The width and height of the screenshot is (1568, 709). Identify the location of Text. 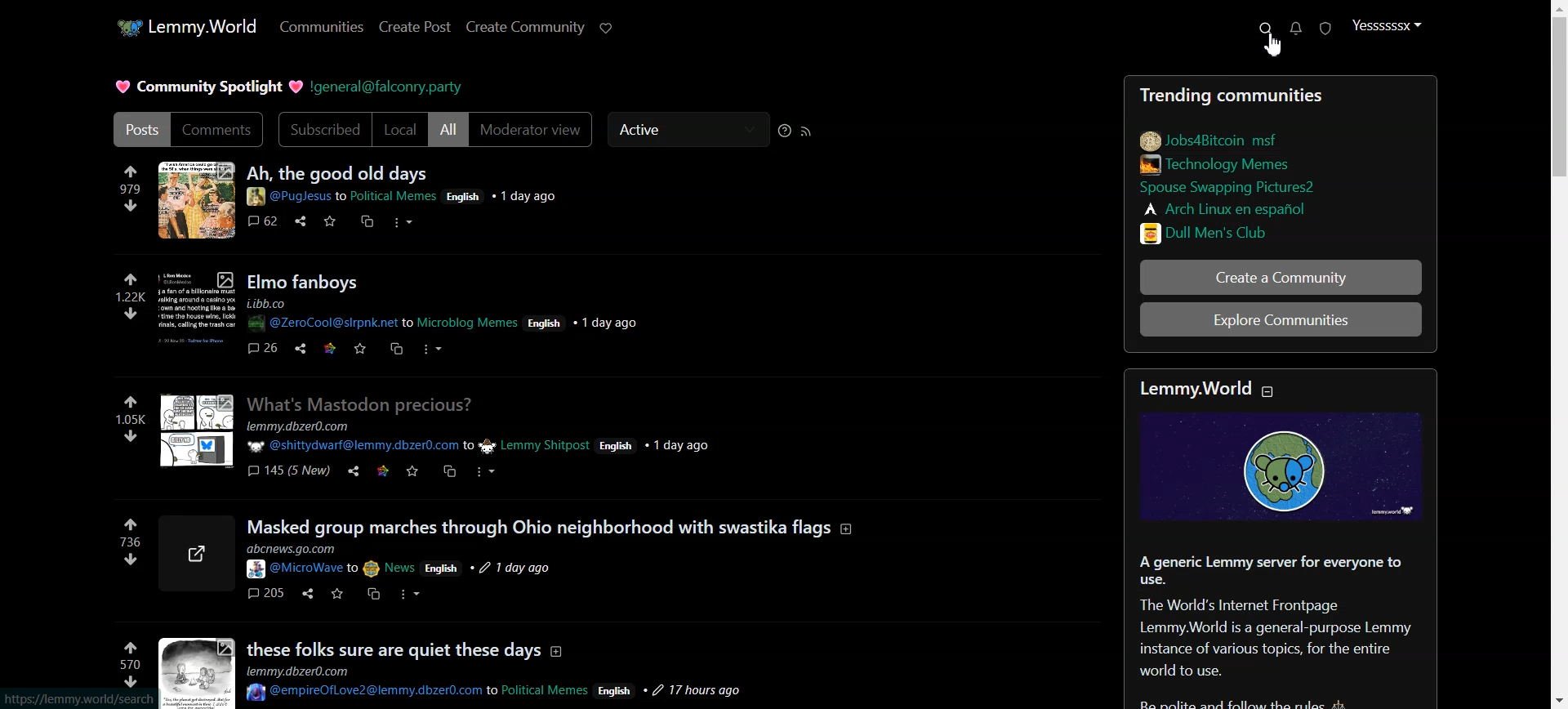
(206, 86).